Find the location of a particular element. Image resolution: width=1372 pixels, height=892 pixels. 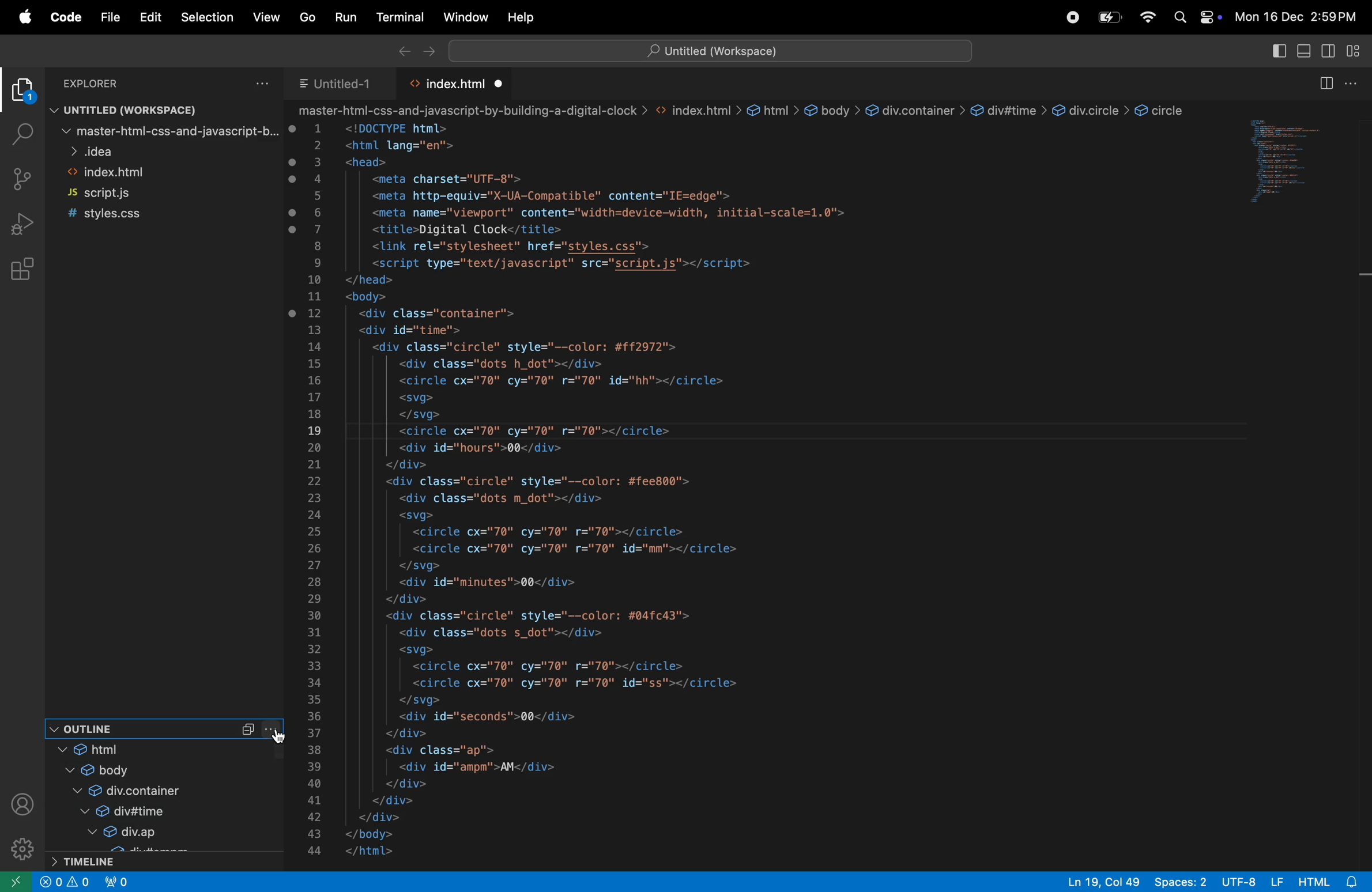

backward is located at coordinates (400, 50).